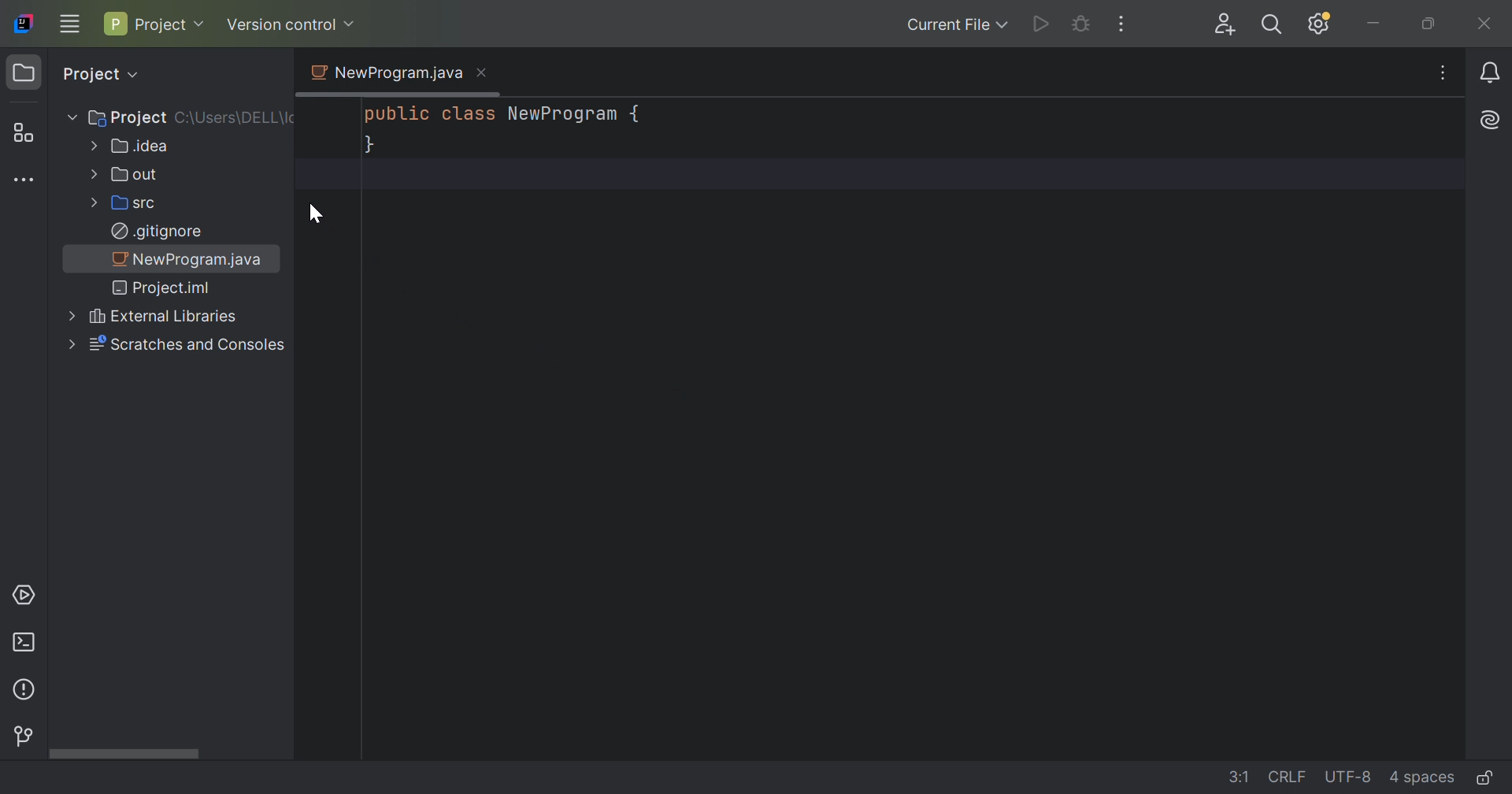 This screenshot has width=1512, height=794. I want to click on public class NewProgram {, so click(506, 114).